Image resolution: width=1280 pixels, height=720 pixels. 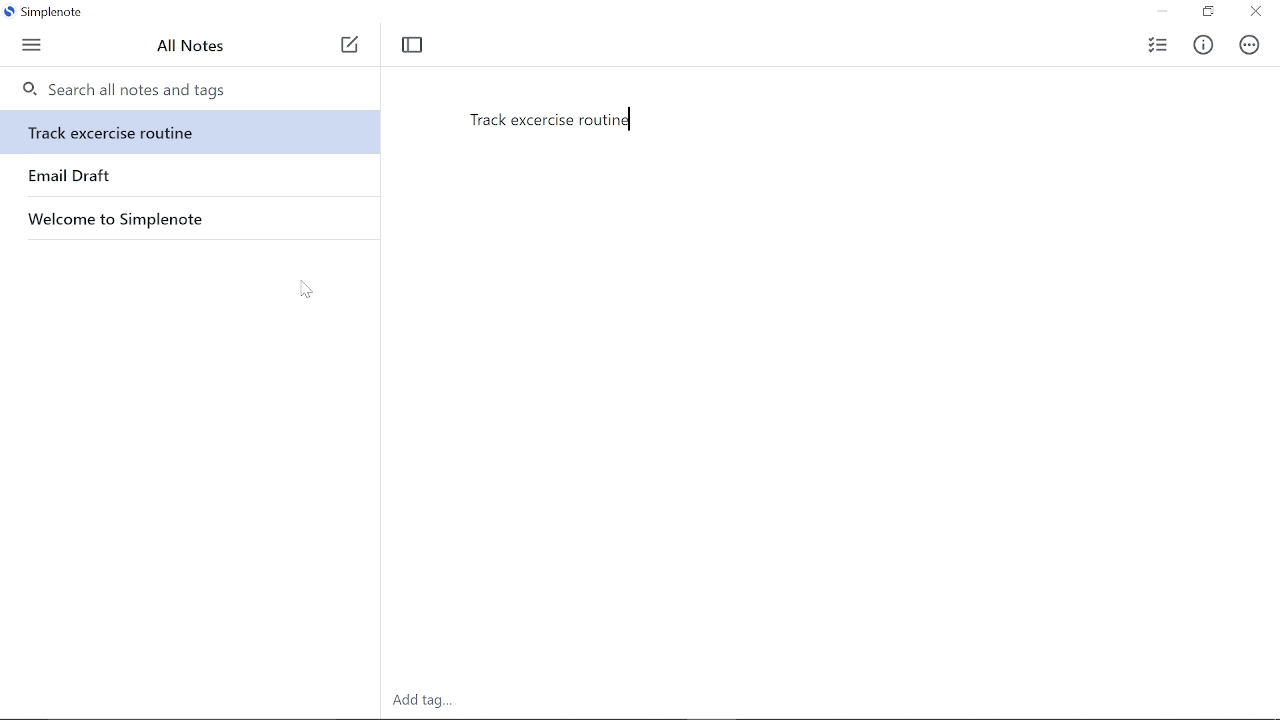 What do you see at coordinates (1156, 45) in the screenshot?
I see `Checklist` at bounding box center [1156, 45].